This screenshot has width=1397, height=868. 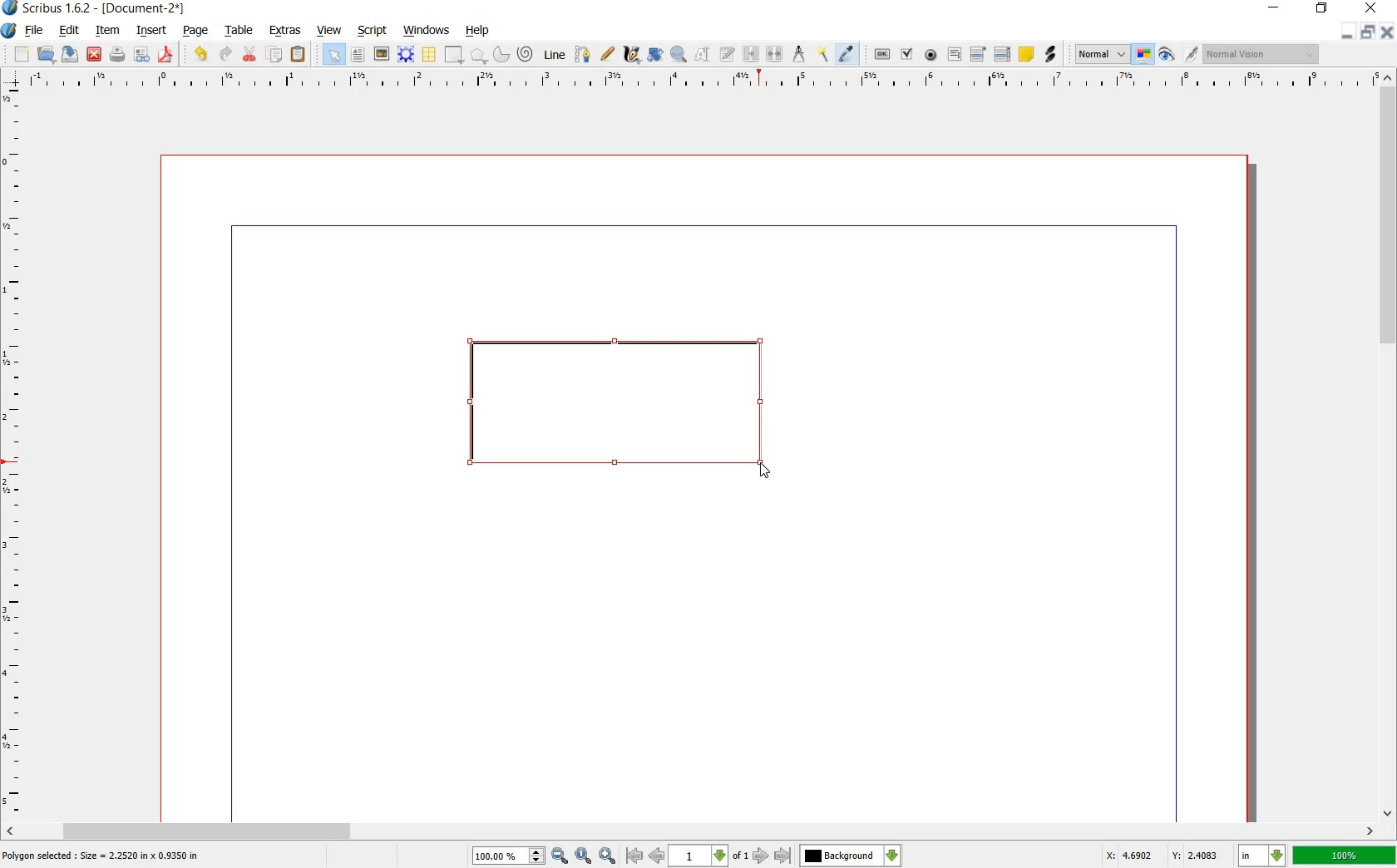 What do you see at coordinates (453, 54) in the screenshot?
I see `SHAPE` at bounding box center [453, 54].